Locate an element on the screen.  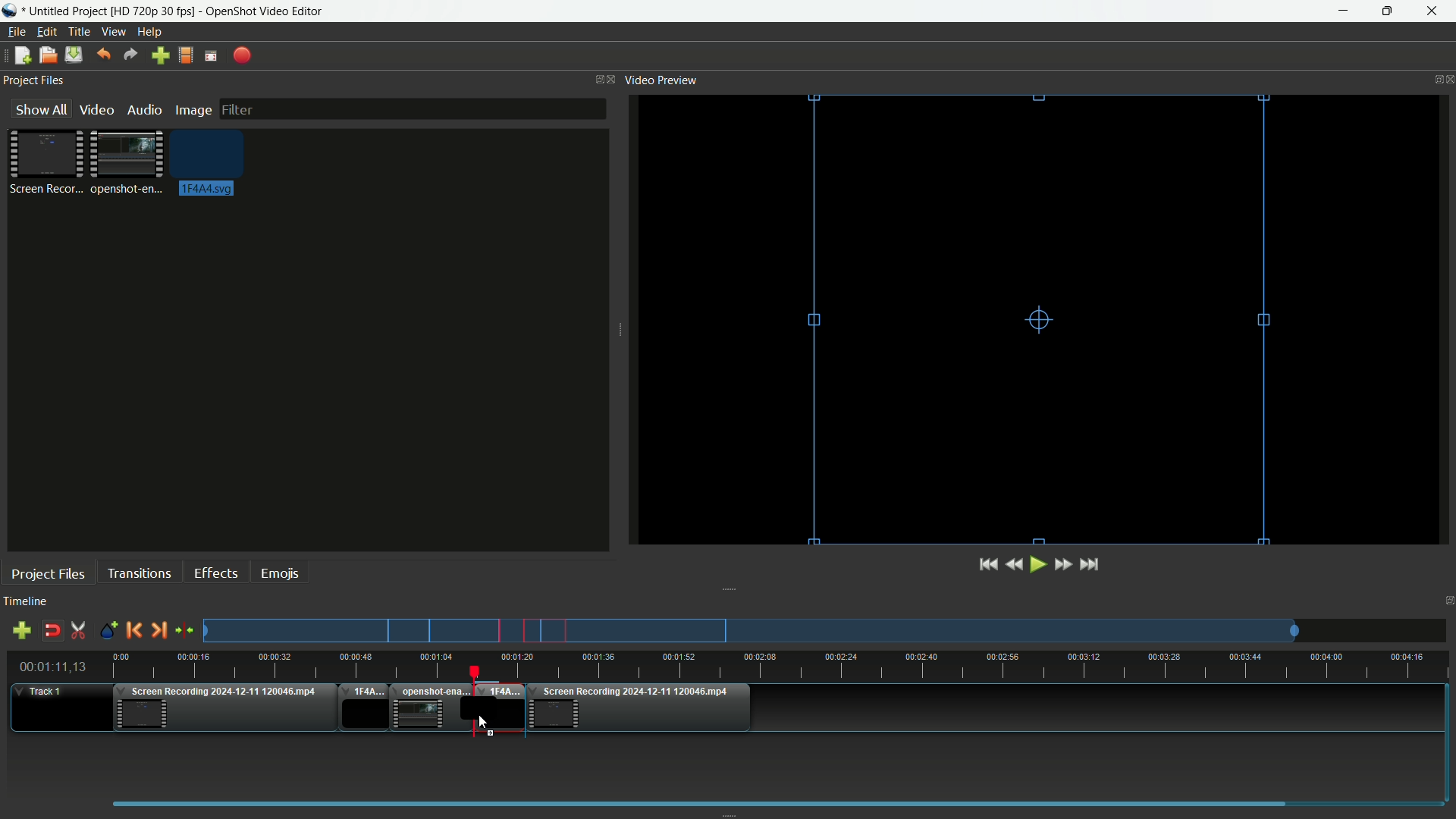
Video is located at coordinates (95, 109).